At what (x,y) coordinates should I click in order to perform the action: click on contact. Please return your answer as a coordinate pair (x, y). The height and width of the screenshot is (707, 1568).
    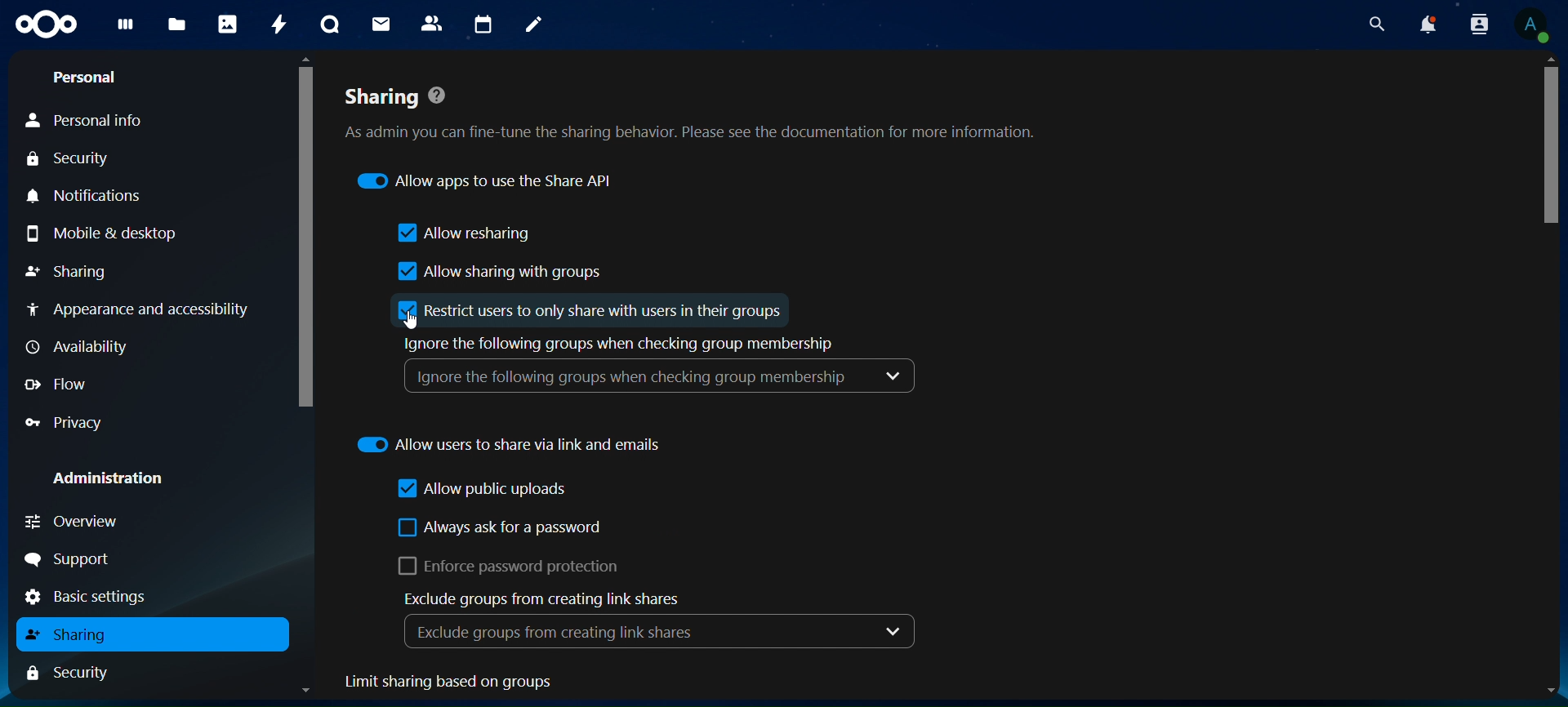
    Looking at the image, I should click on (432, 22).